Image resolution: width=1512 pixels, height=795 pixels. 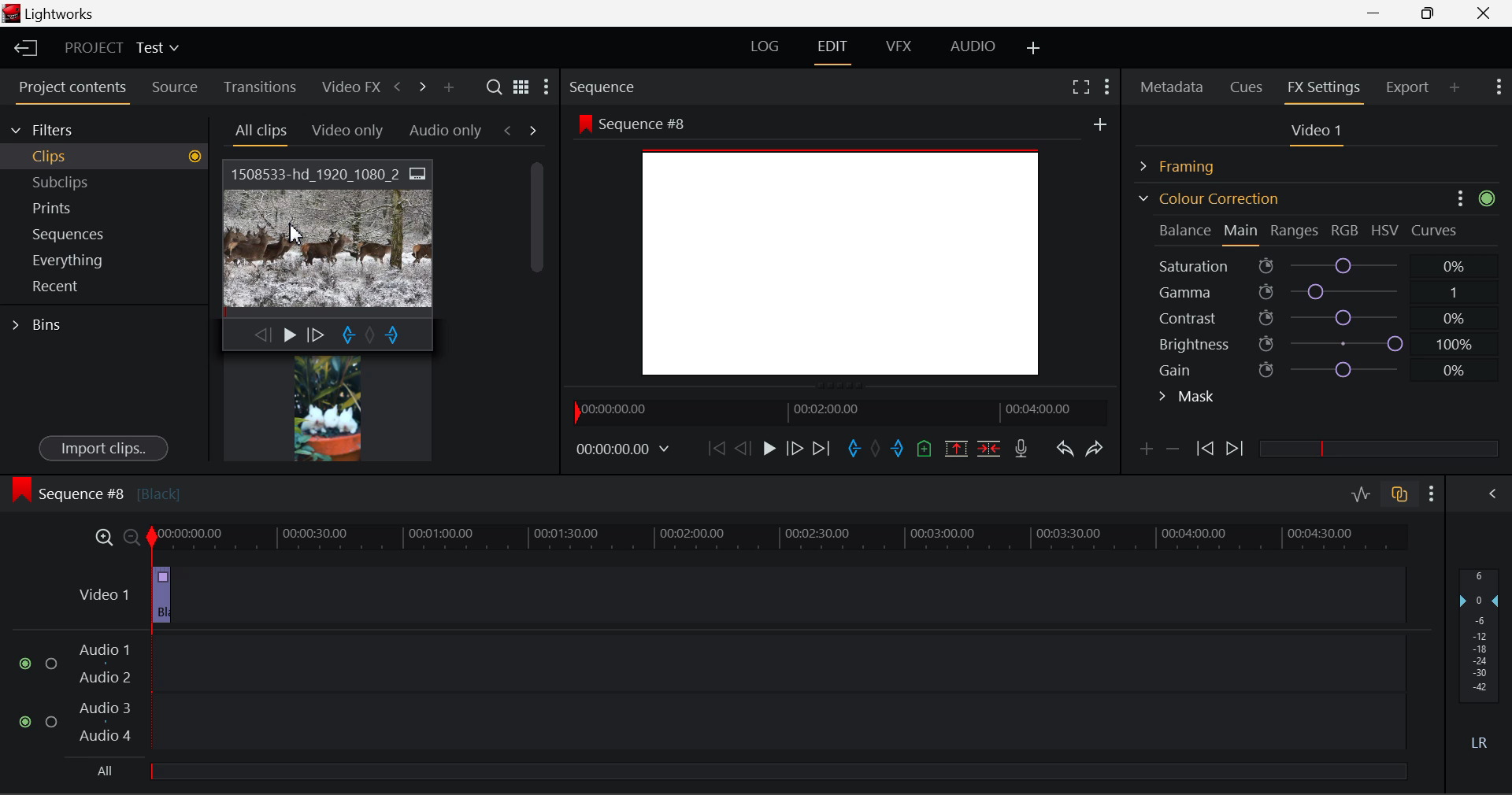 I want to click on Export Panel, so click(x=1410, y=87).